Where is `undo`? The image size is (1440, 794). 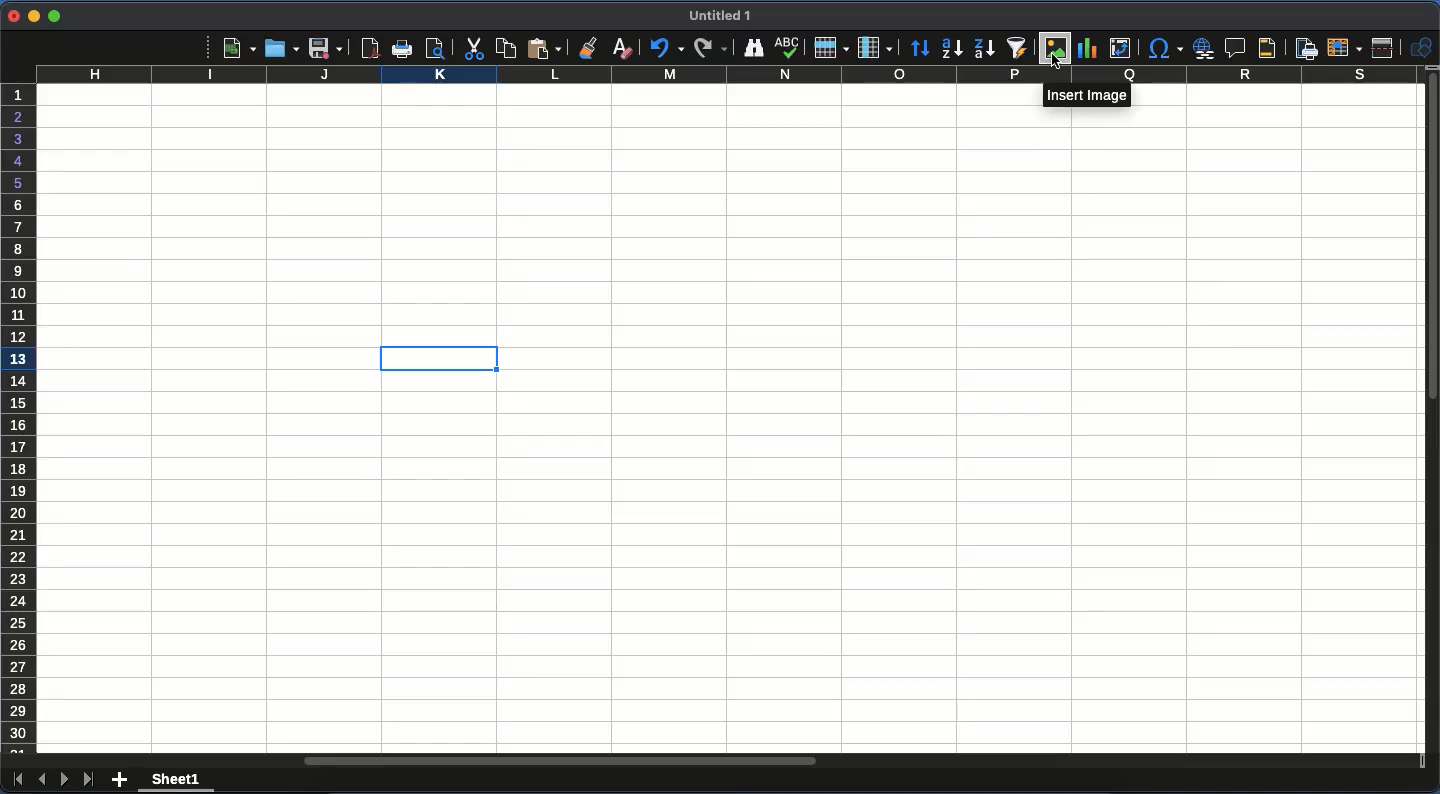 undo is located at coordinates (665, 49).